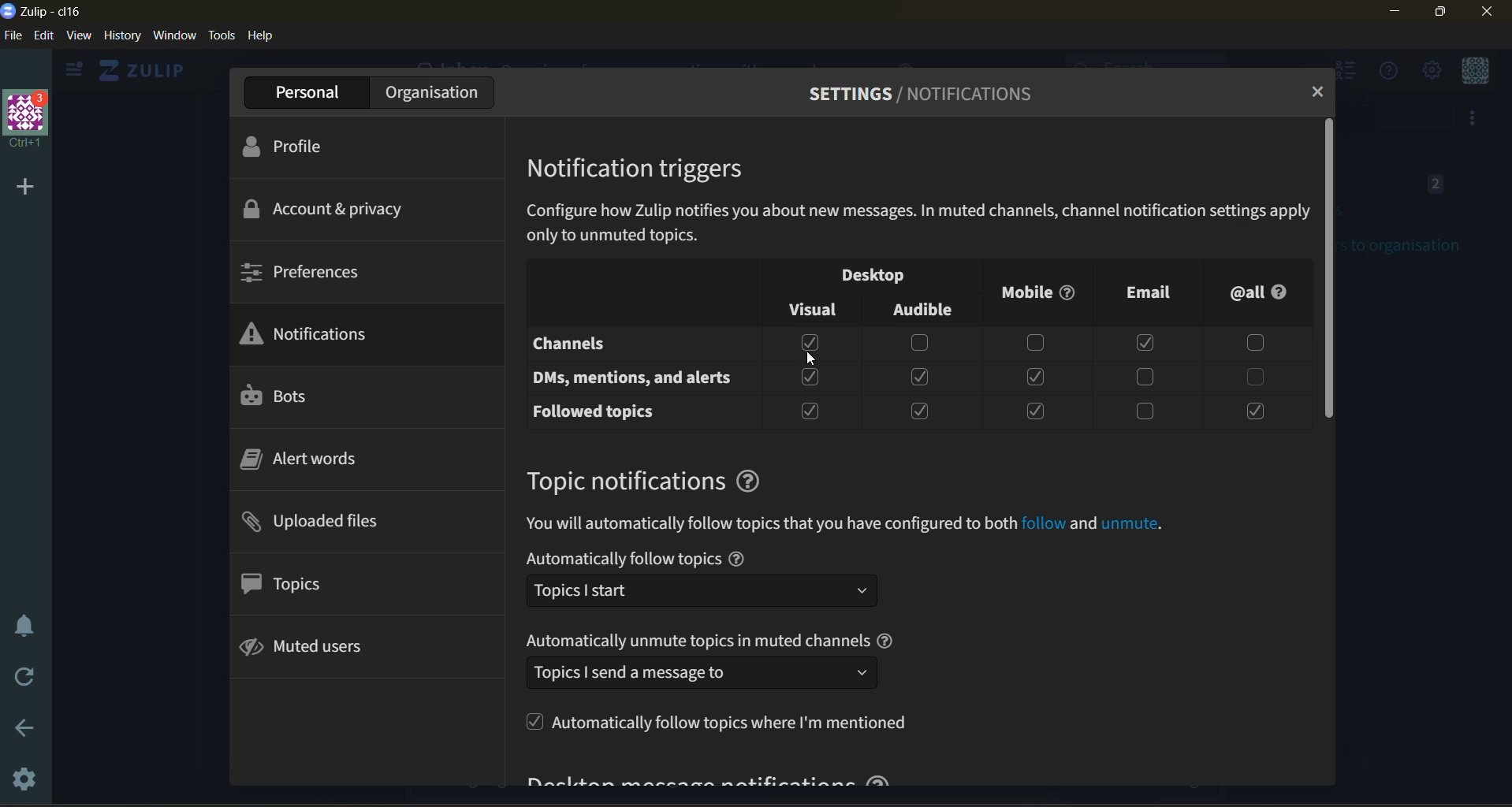 This screenshot has height=807, width=1512. I want to click on organisation profile, so click(28, 119).